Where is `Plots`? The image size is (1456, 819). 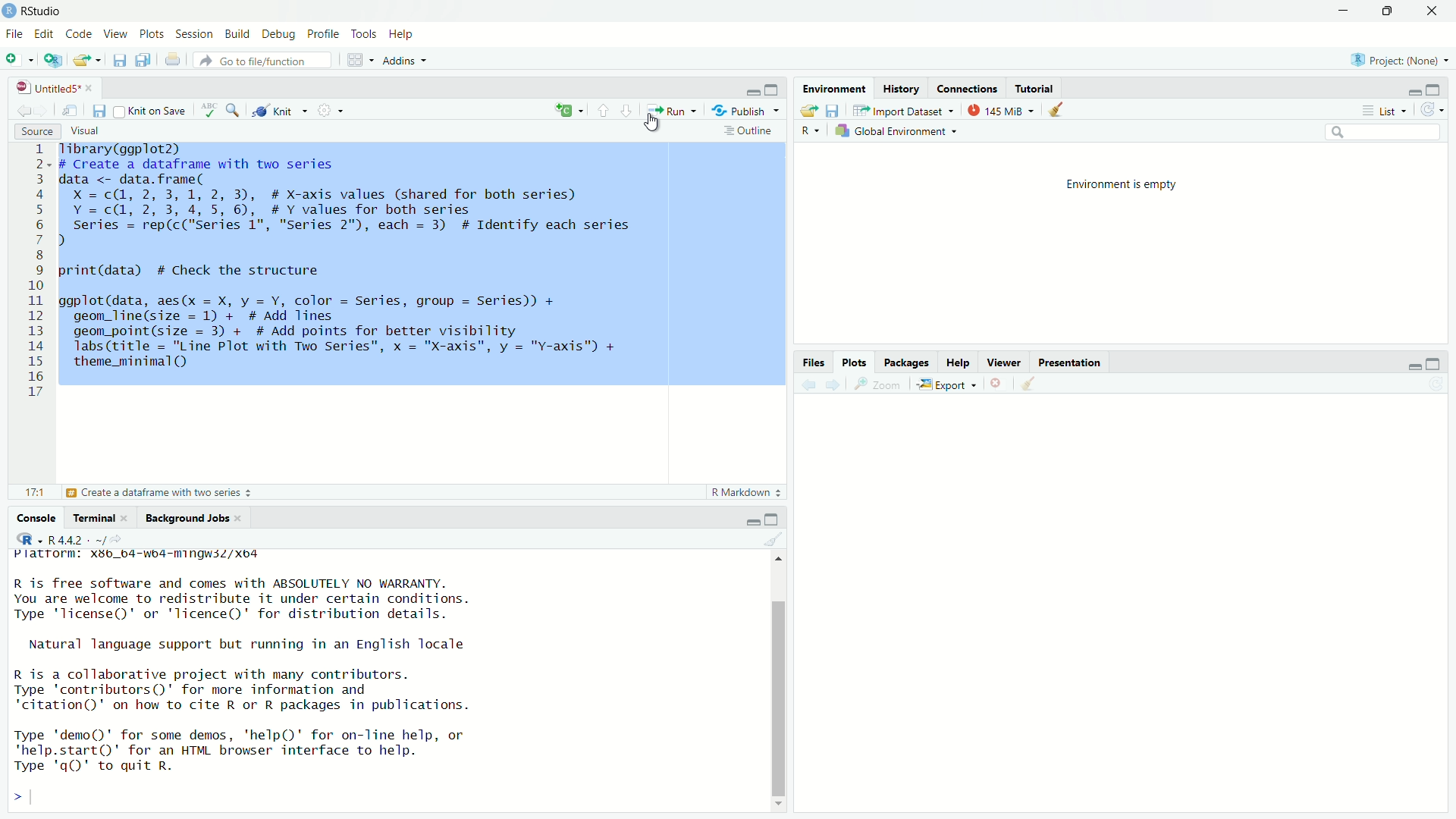 Plots is located at coordinates (155, 36).